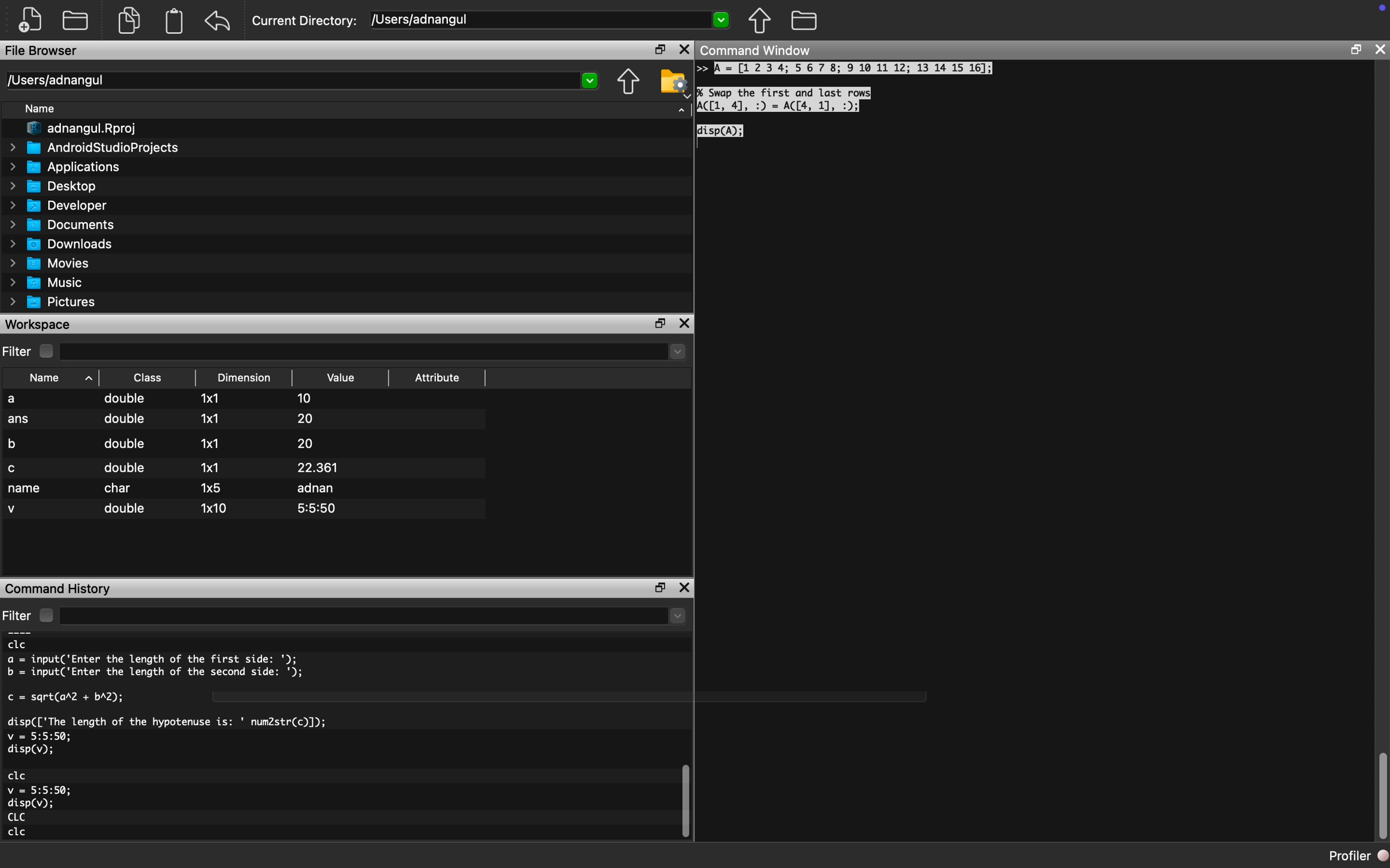 The image size is (1390, 868). I want to click on Copy, so click(130, 18).